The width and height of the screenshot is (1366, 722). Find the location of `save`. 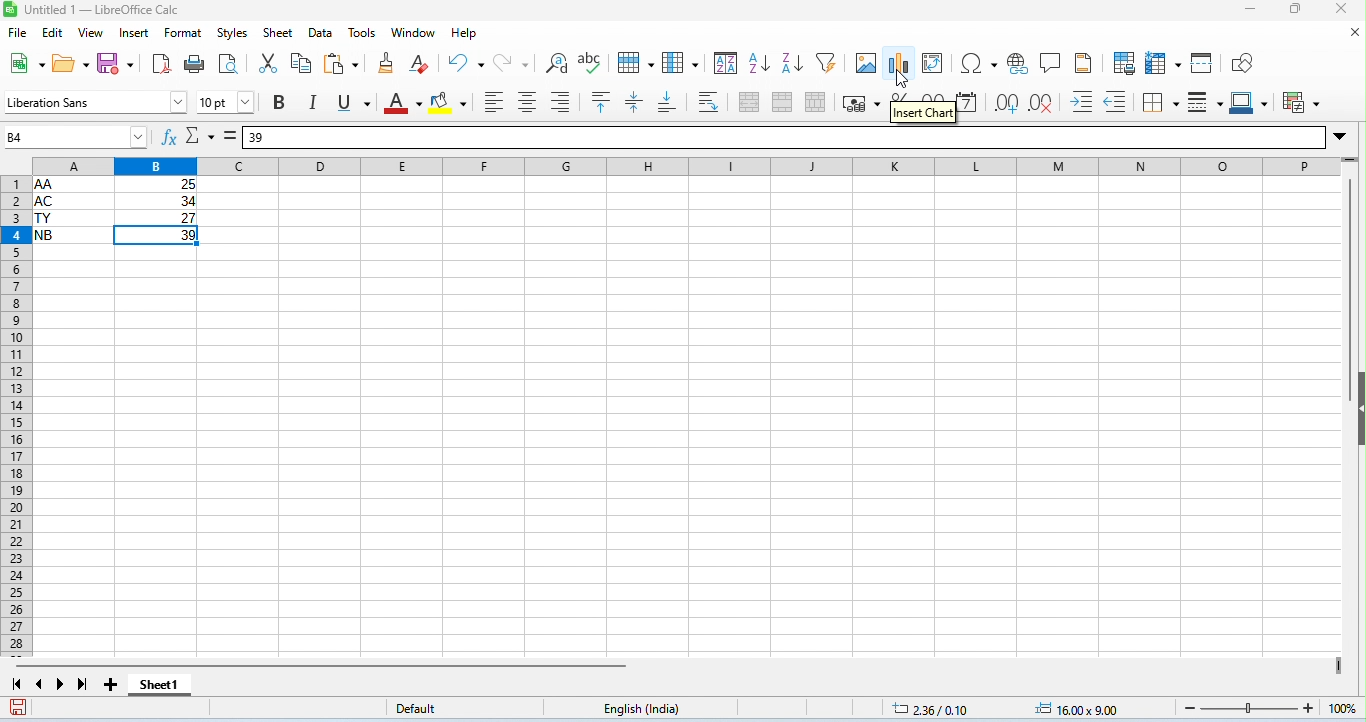

save is located at coordinates (20, 709).